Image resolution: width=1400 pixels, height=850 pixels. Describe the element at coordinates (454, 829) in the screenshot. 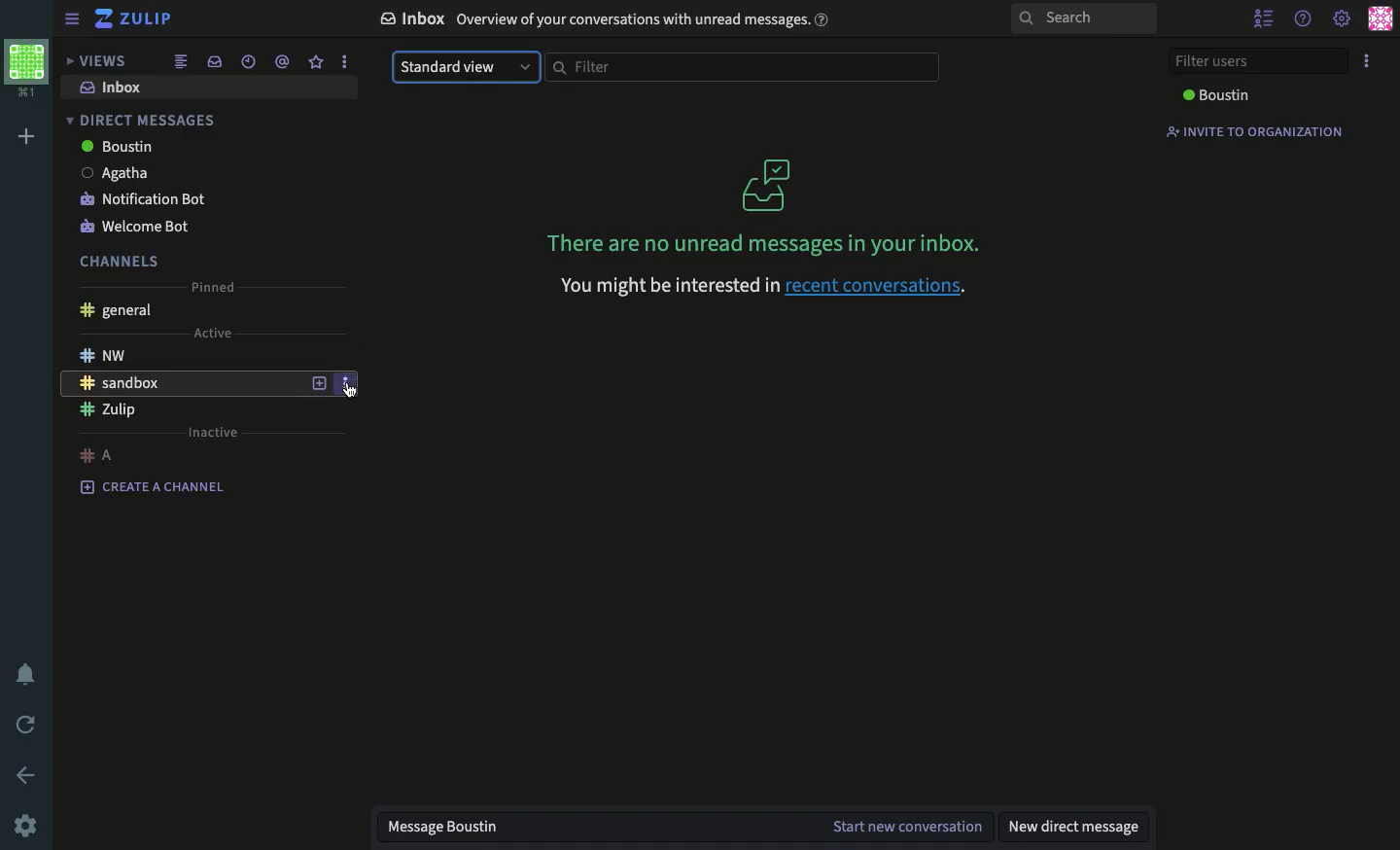

I see `message boustin` at that location.